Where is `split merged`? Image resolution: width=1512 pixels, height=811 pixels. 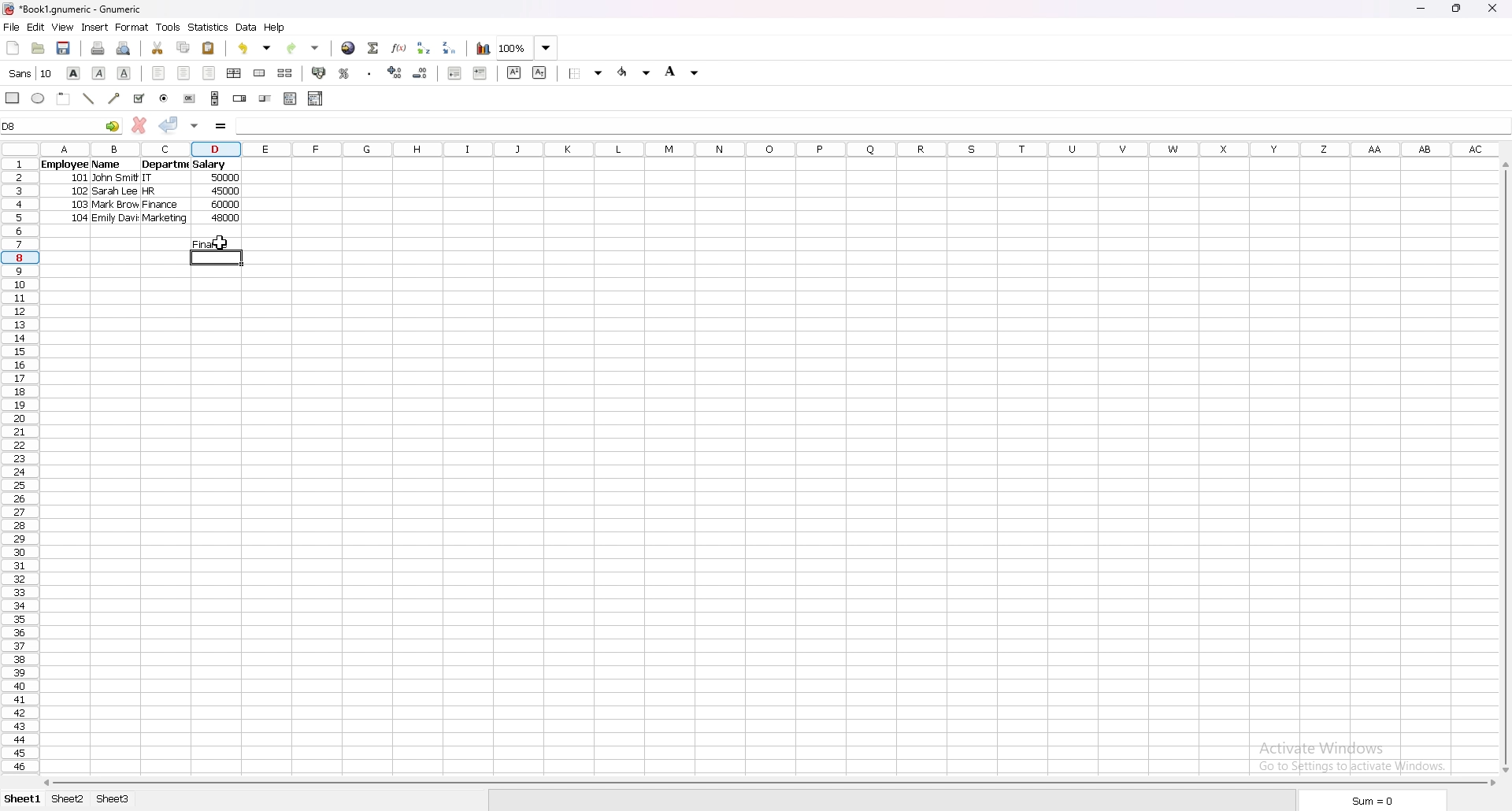 split merged is located at coordinates (286, 72).